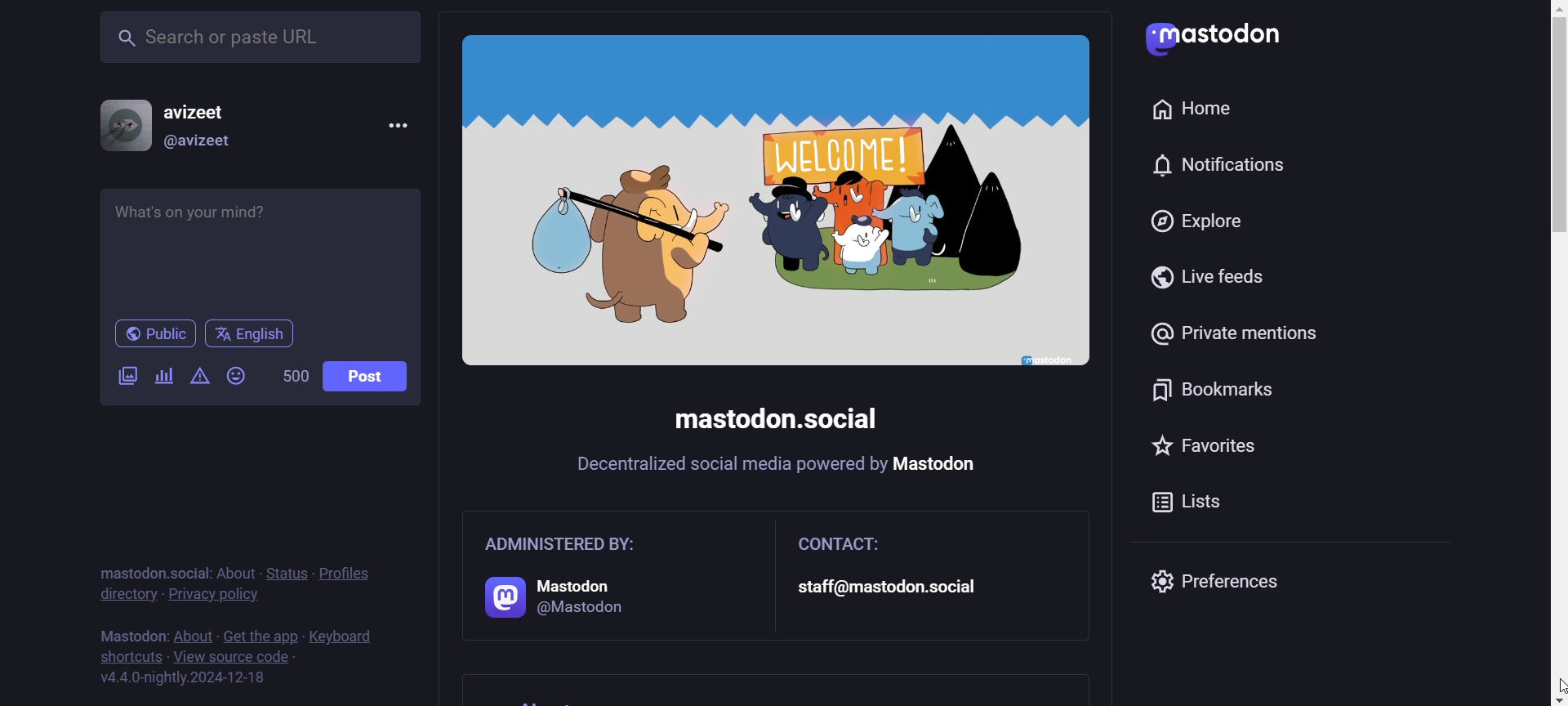 The width and height of the screenshot is (1568, 706). Describe the element at coordinates (395, 124) in the screenshot. I see `menu` at that location.